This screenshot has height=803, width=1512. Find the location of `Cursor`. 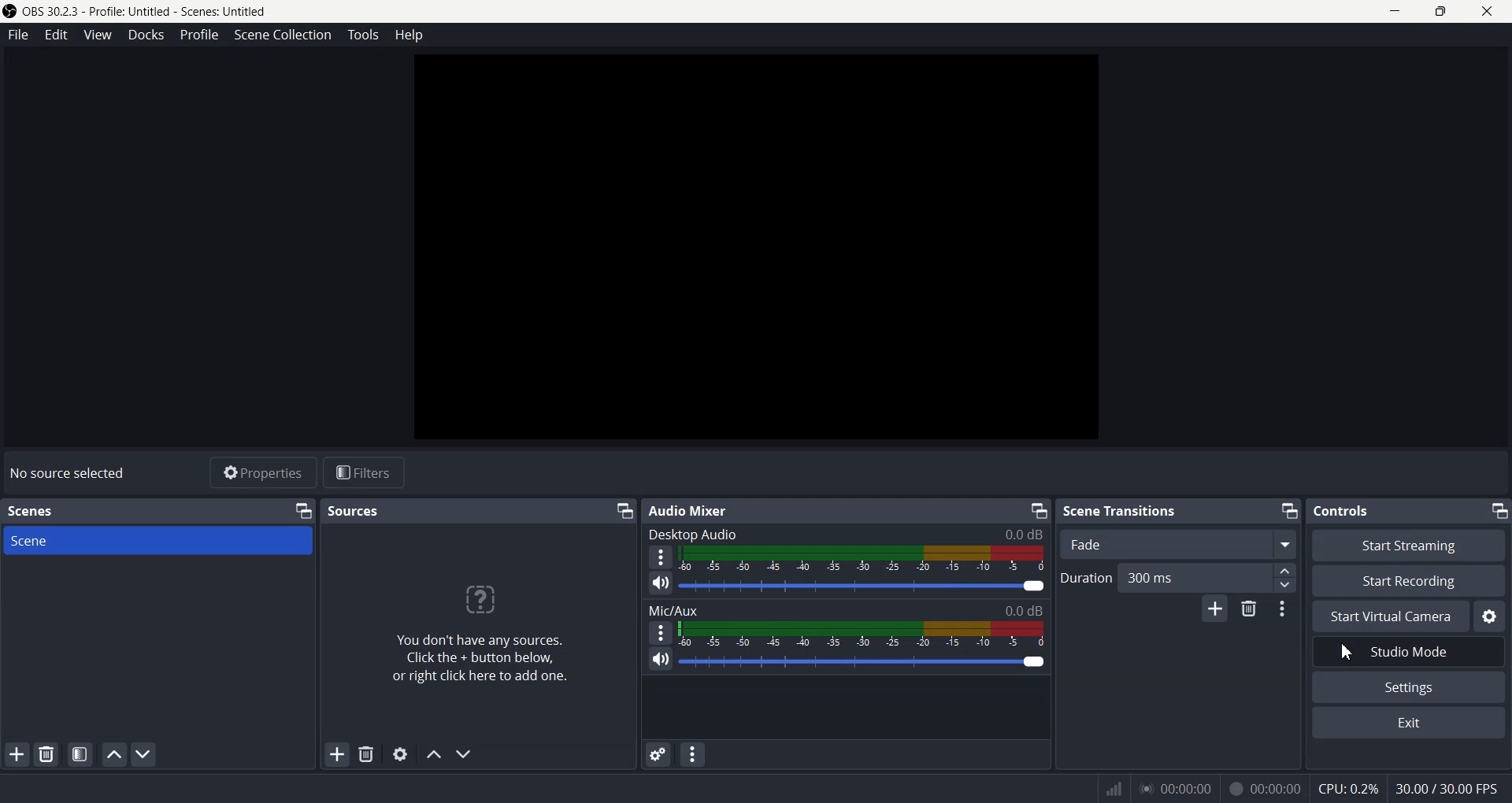

Cursor is located at coordinates (1343, 649).